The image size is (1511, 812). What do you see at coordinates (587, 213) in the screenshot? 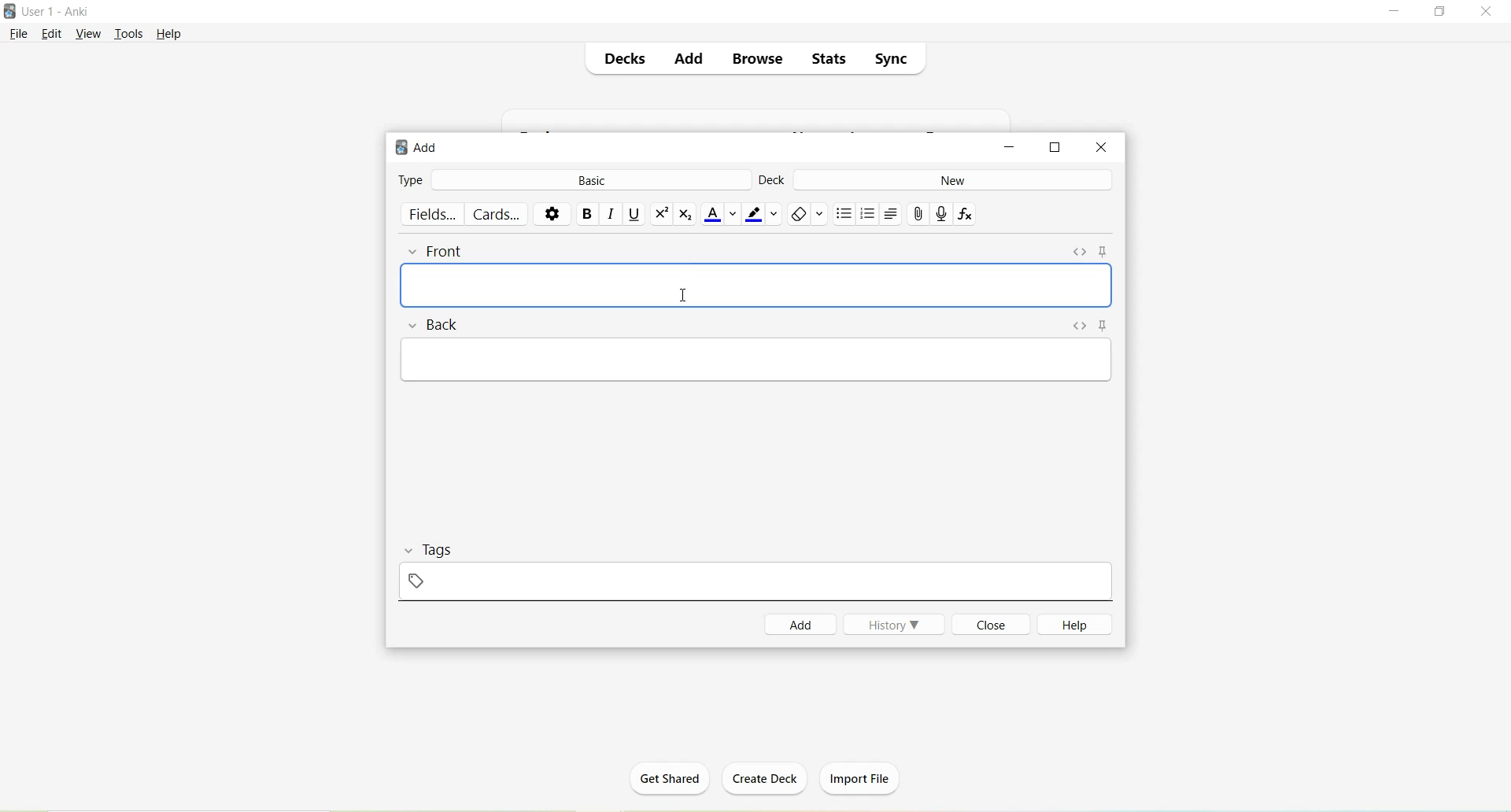
I see `Bold` at bounding box center [587, 213].